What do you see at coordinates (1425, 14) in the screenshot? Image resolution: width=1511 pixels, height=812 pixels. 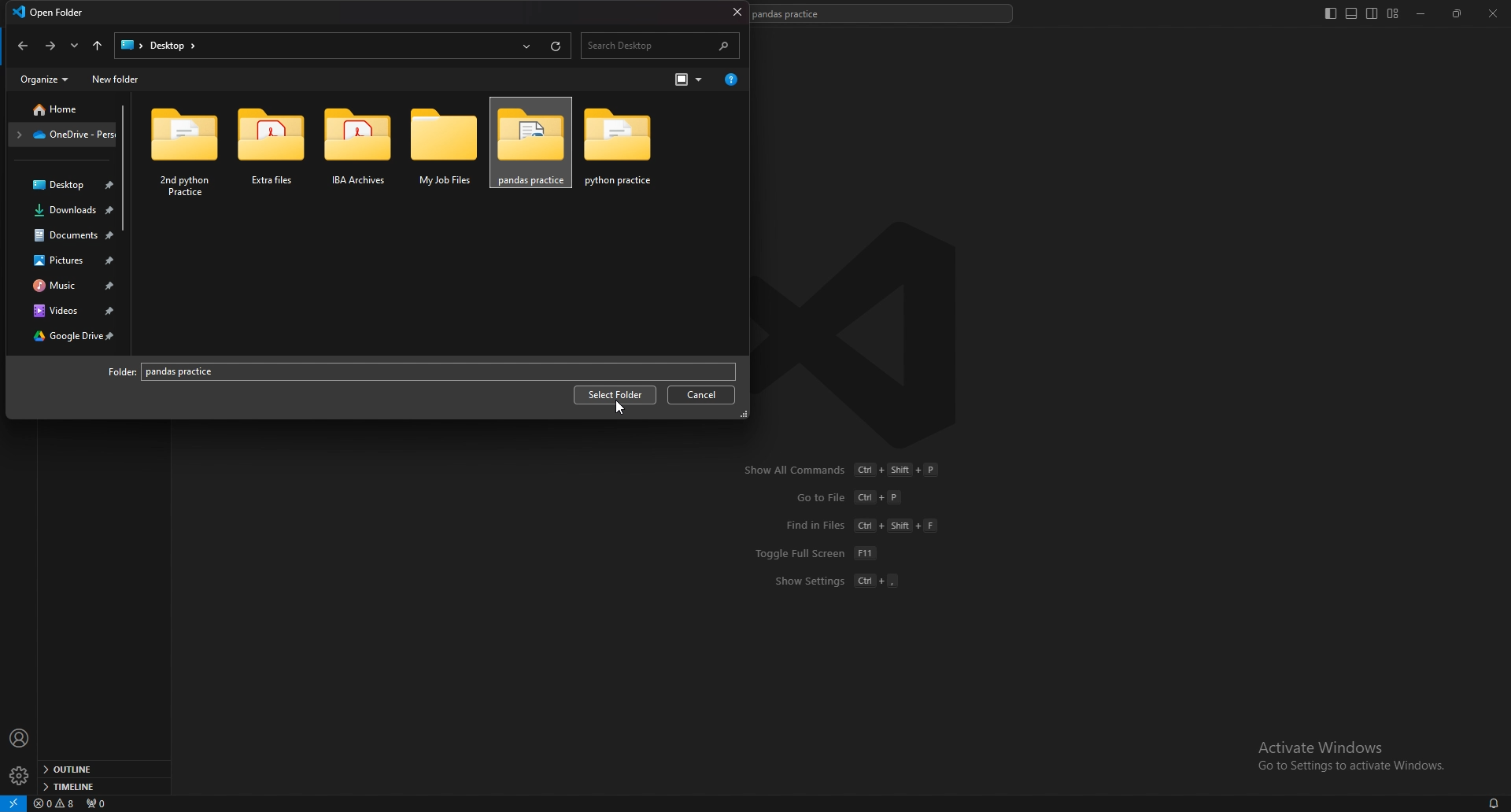 I see `minimize` at bounding box center [1425, 14].